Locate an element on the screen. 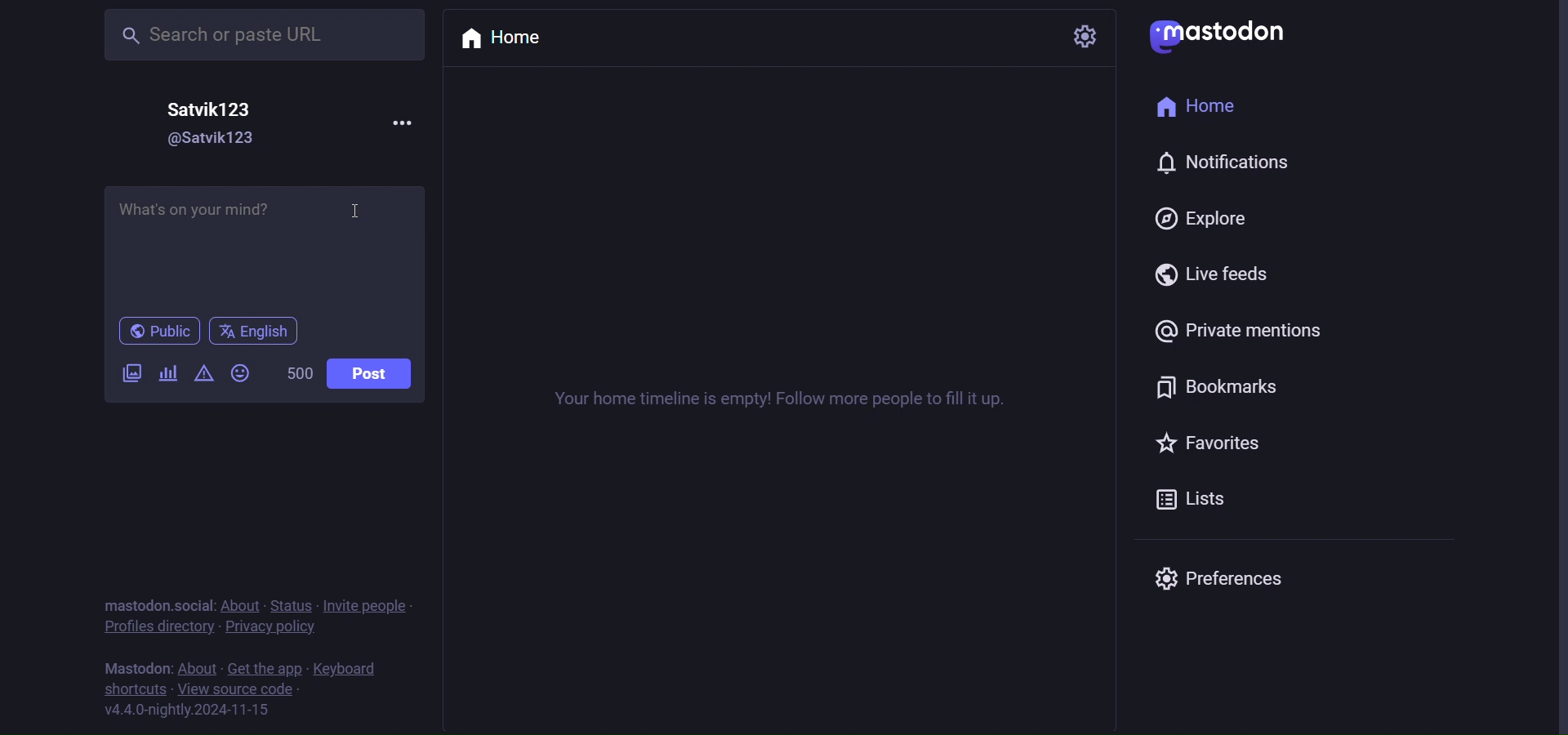 The height and width of the screenshot is (735, 1568). lists is located at coordinates (1205, 503).